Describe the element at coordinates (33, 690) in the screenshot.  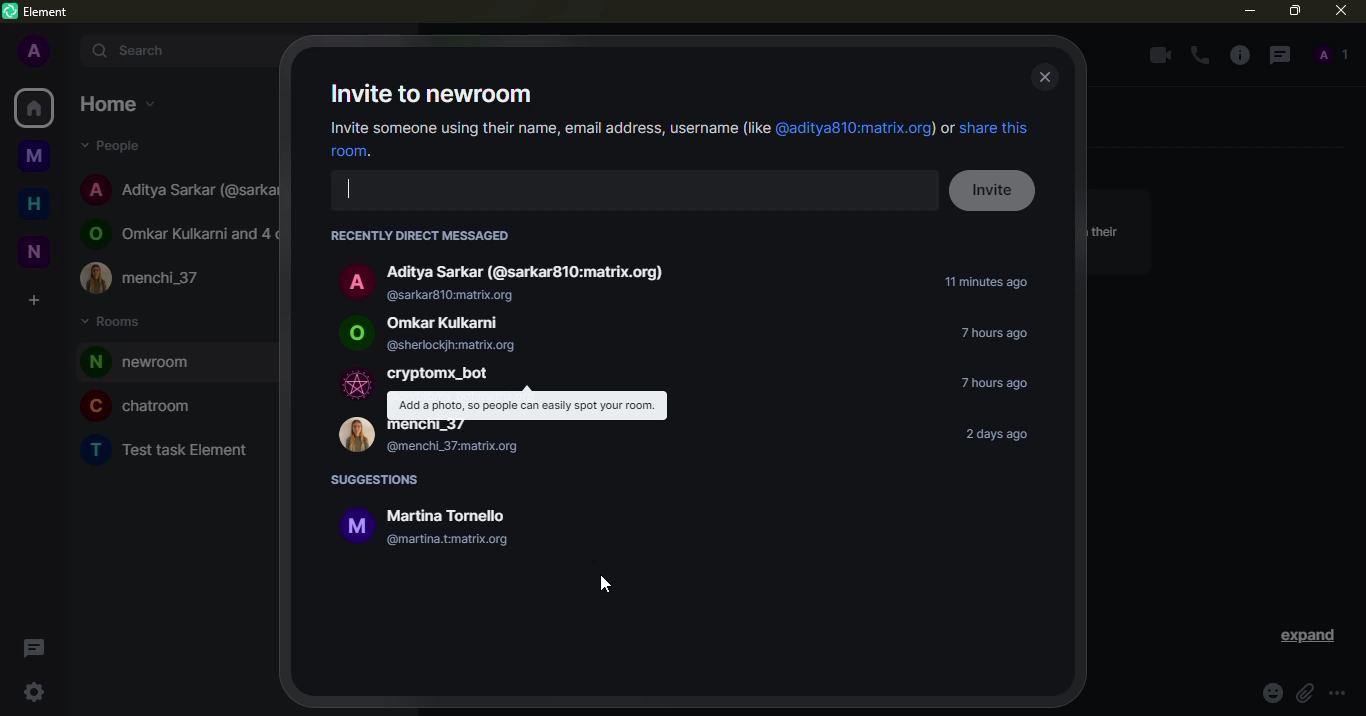
I see `quick settings` at that location.